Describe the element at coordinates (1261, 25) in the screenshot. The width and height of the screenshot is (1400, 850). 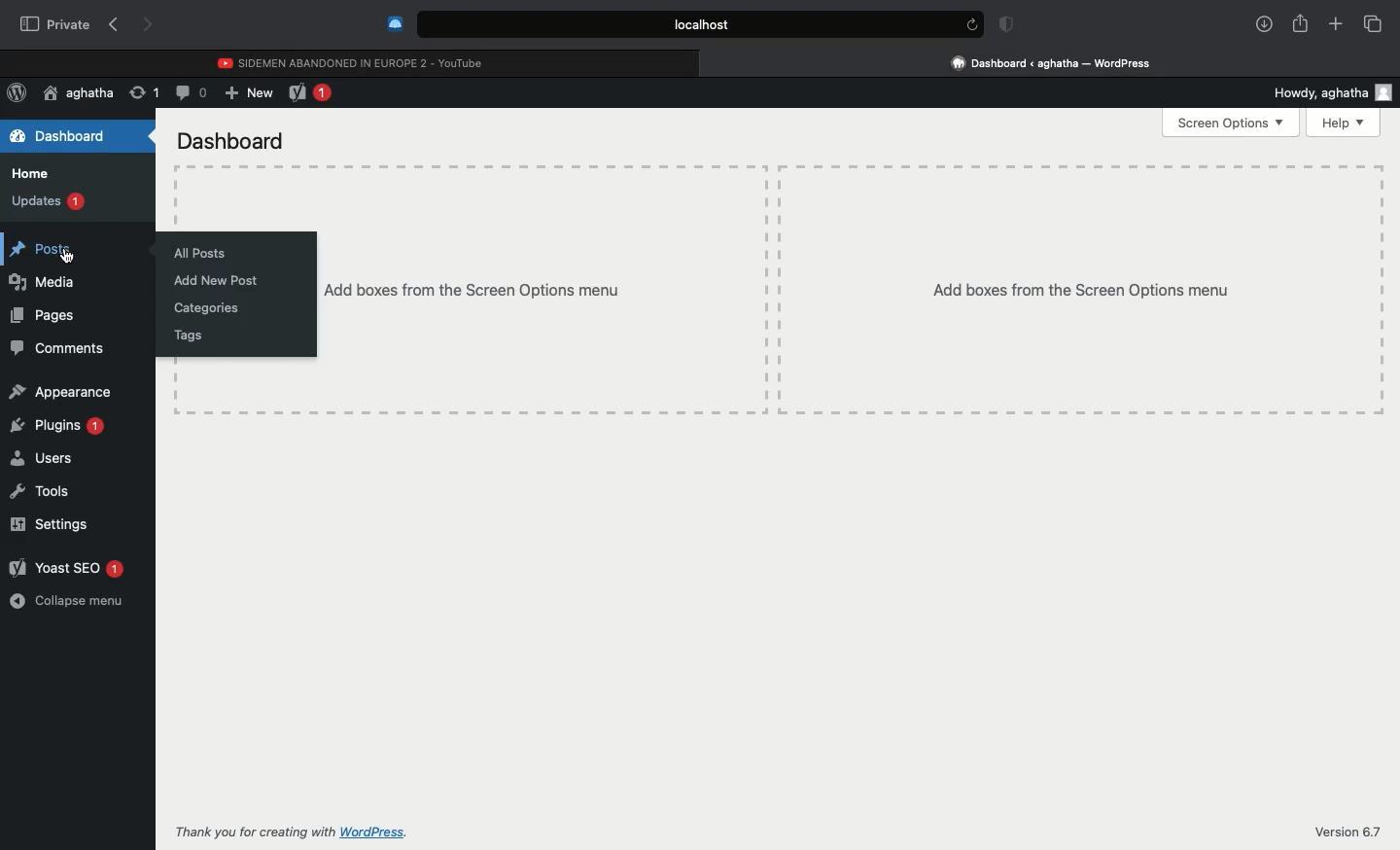
I see `Downlaods` at that location.